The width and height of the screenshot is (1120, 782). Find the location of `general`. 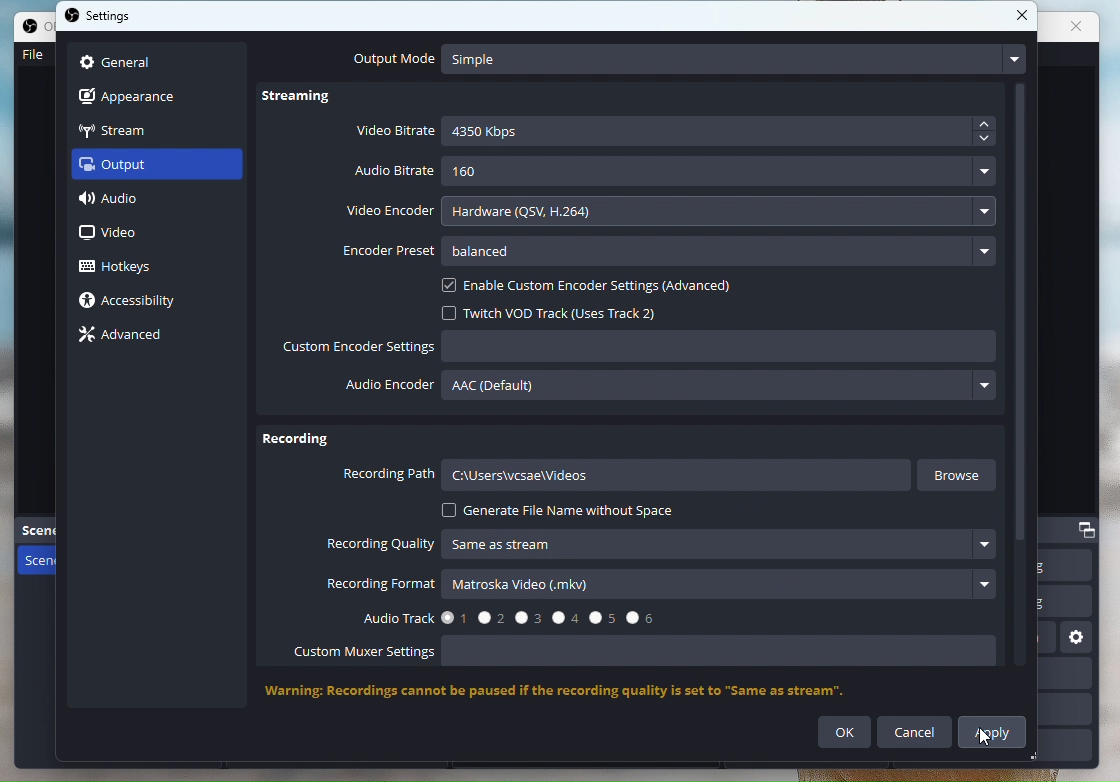

general is located at coordinates (118, 60).